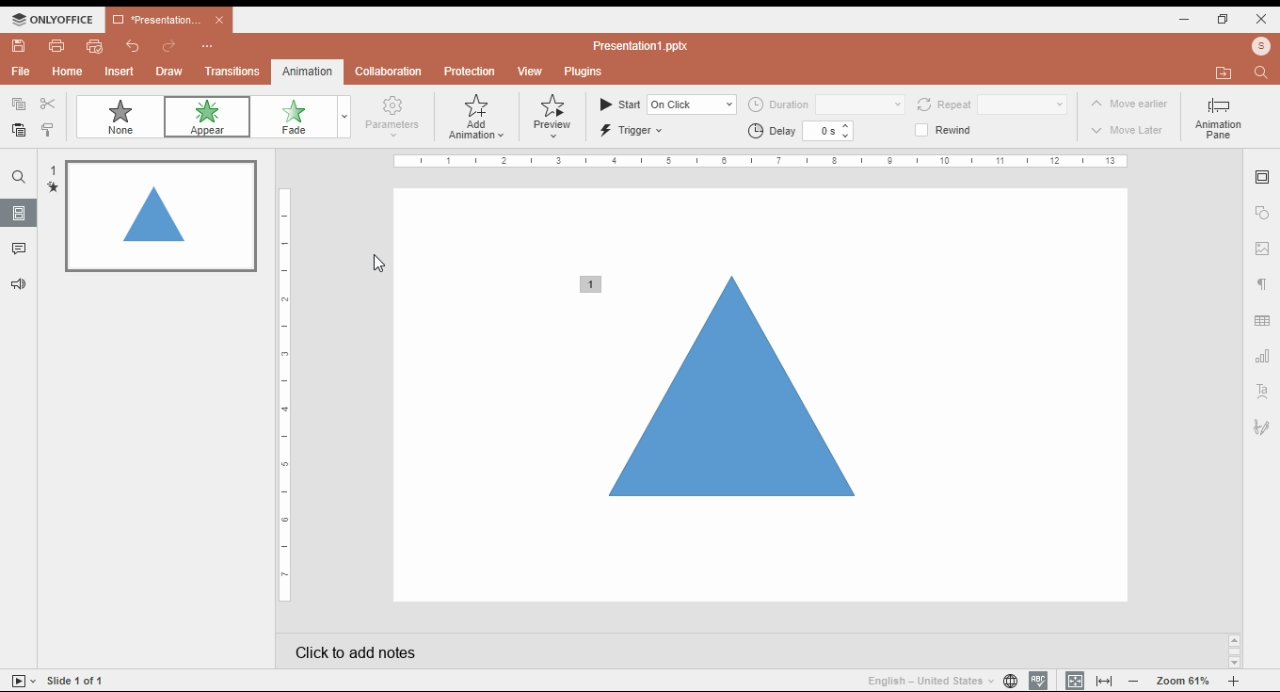  I want to click on repeat, so click(944, 103).